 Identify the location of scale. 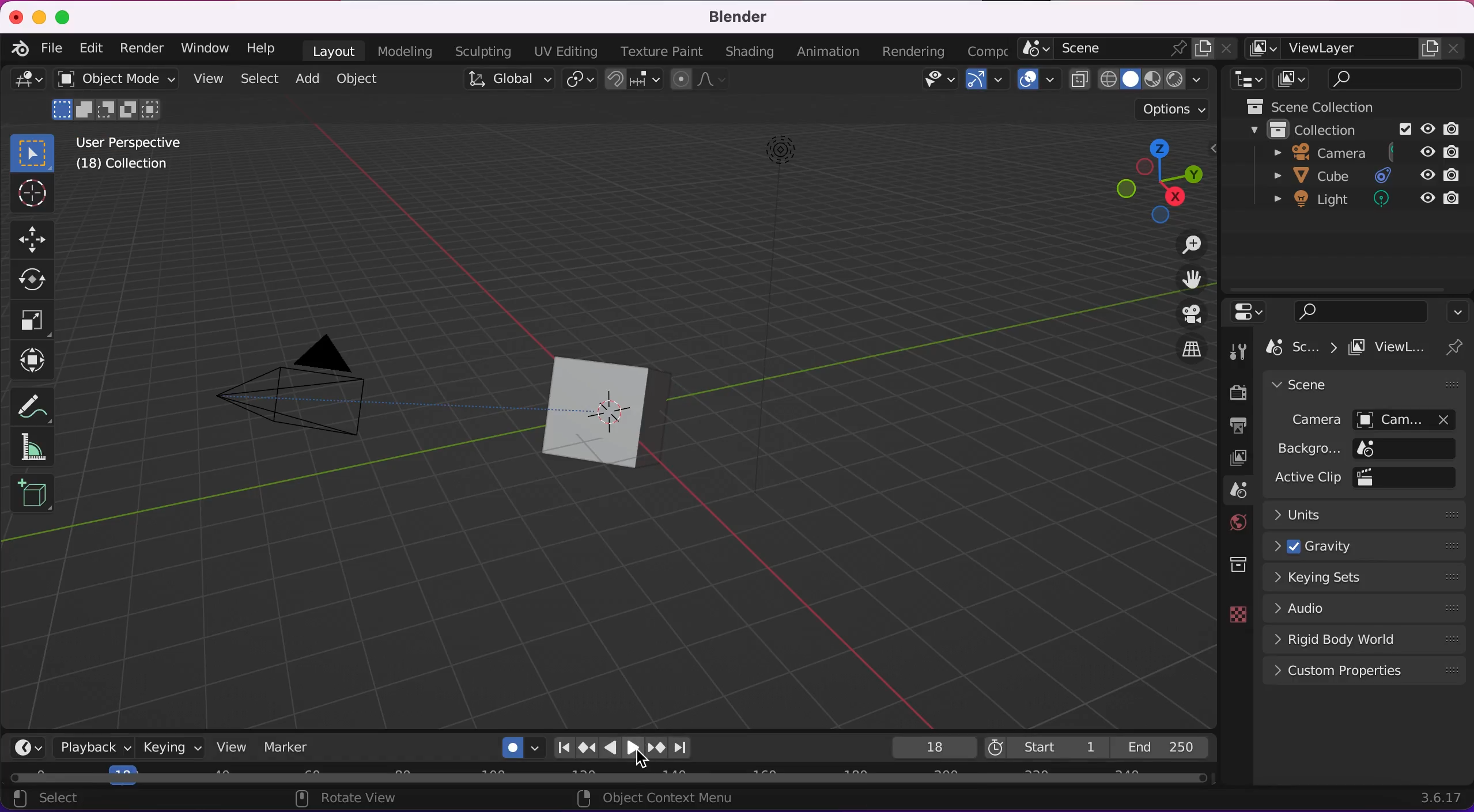
(31, 320).